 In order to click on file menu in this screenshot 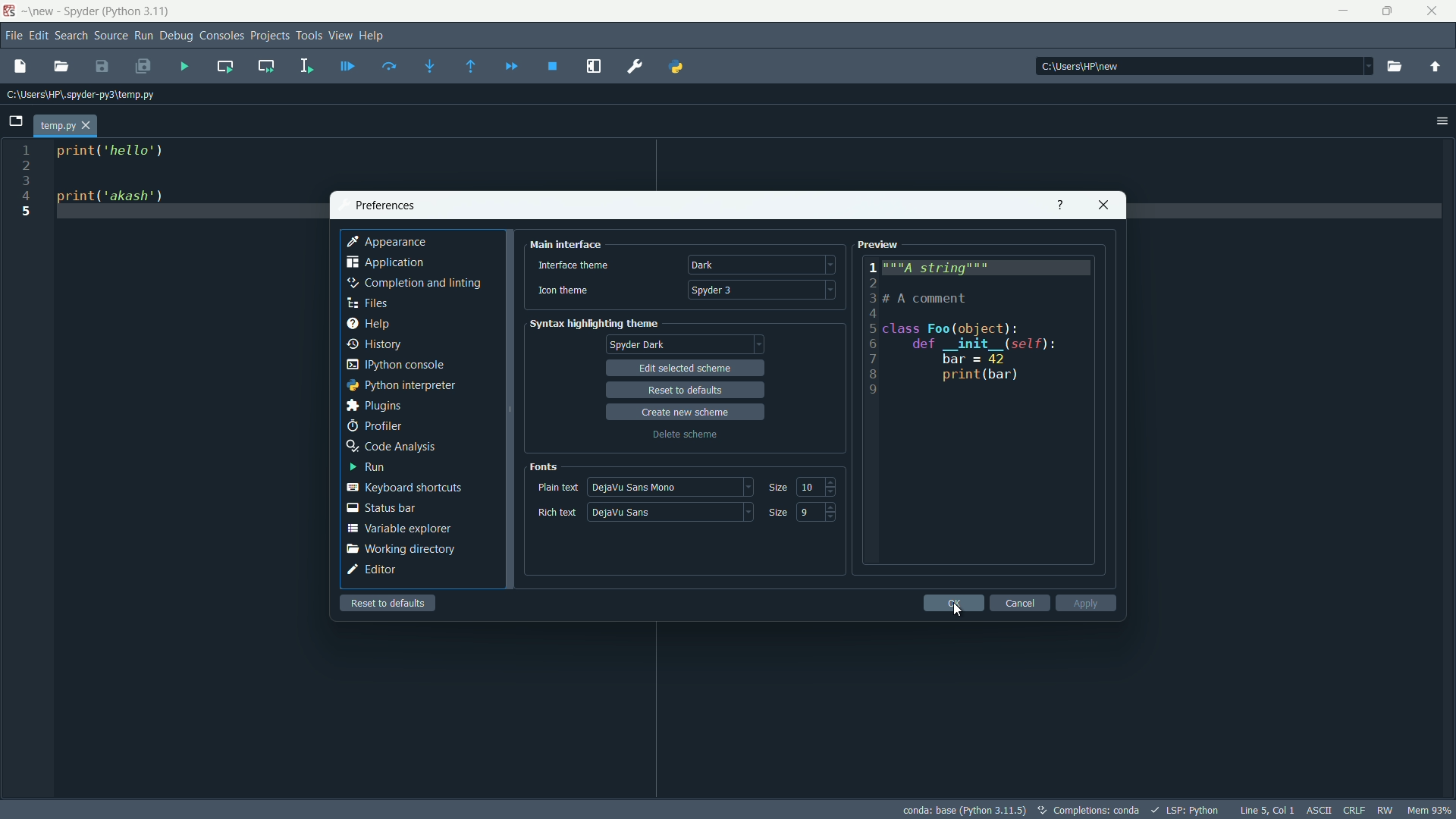, I will do `click(14, 36)`.